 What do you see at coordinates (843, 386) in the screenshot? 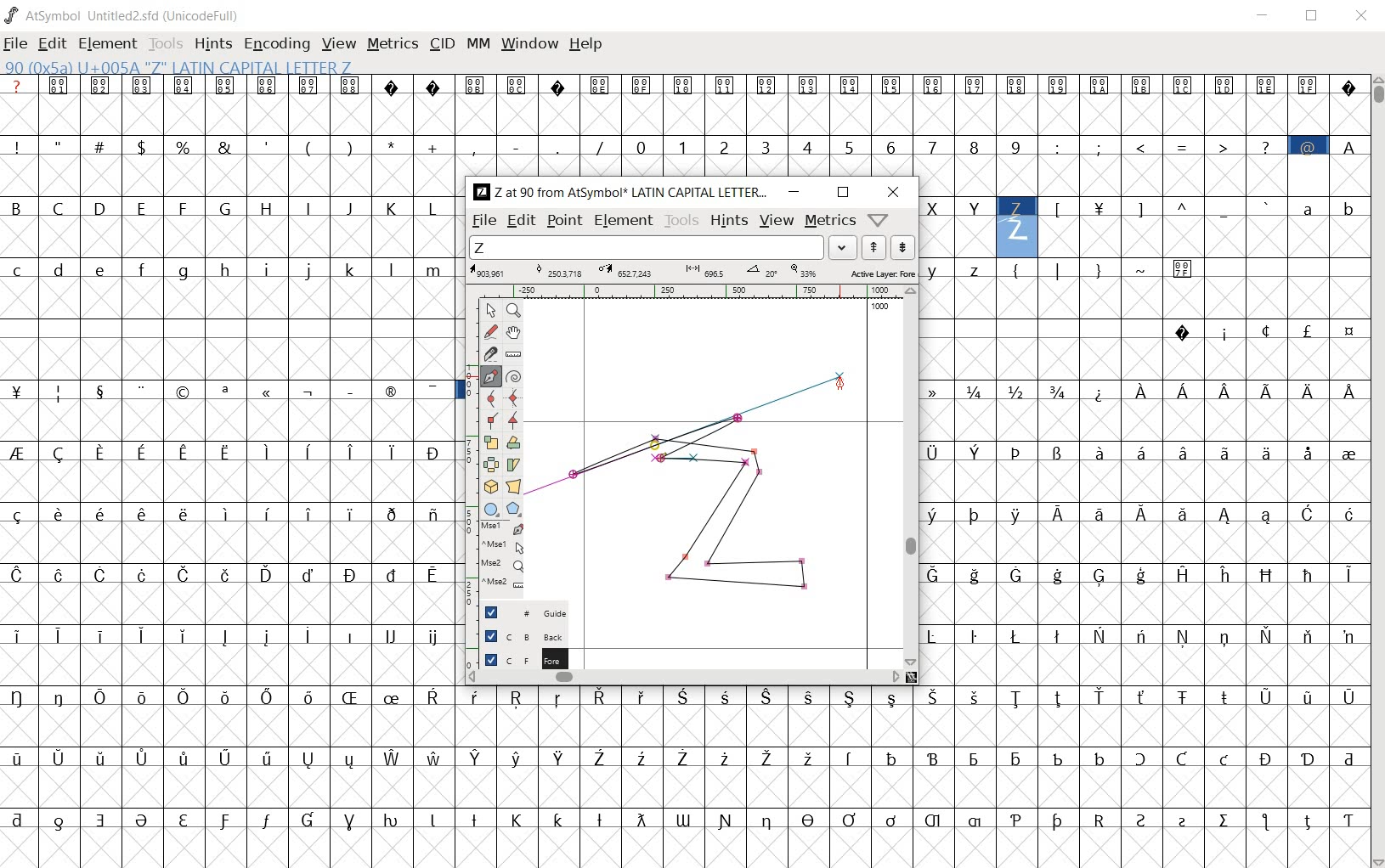
I see `CURSOR` at bounding box center [843, 386].